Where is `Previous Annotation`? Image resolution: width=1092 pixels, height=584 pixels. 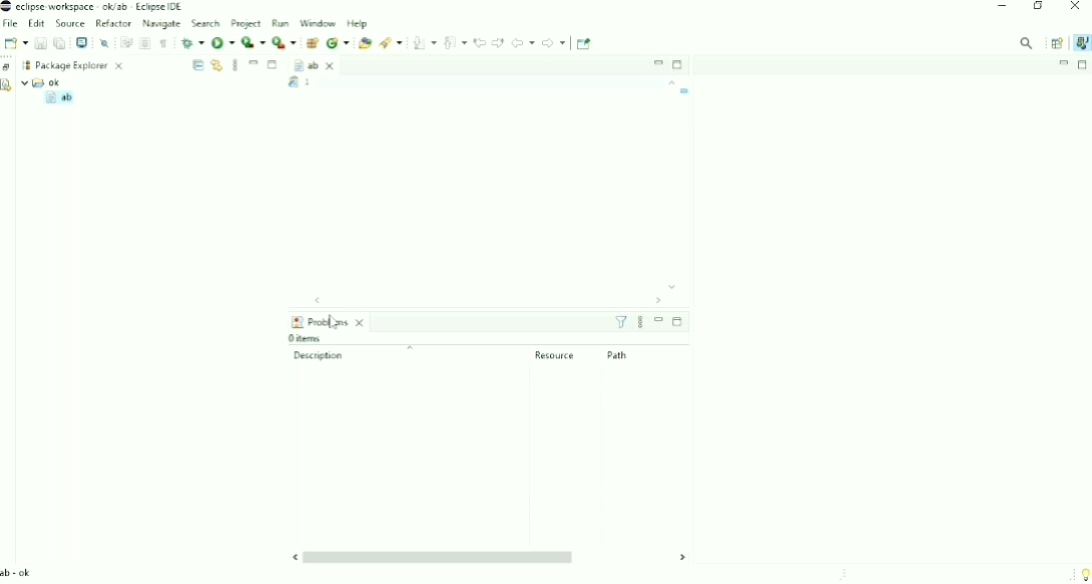
Previous Annotation is located at coordinates (456, 42).